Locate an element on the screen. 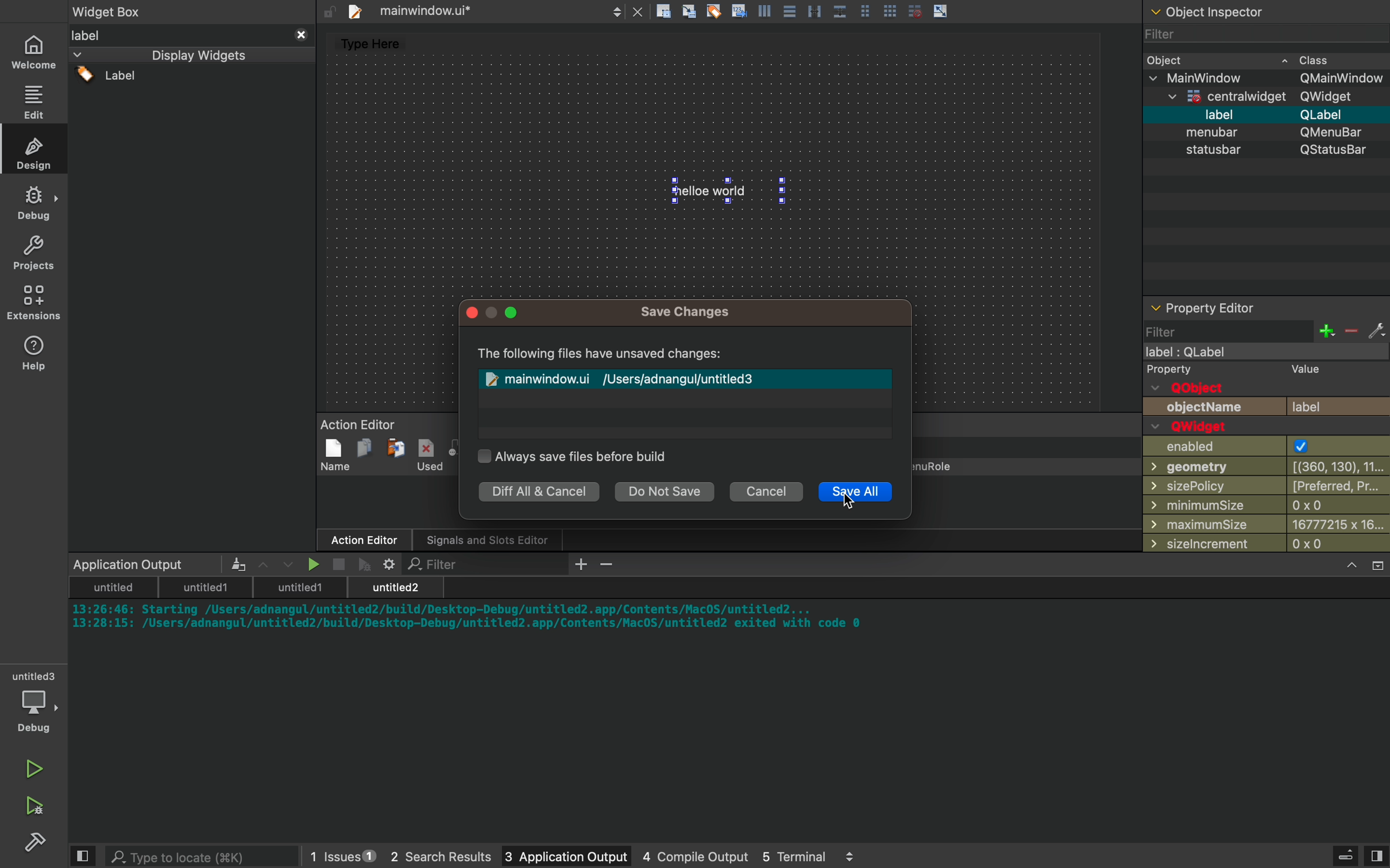 The width and height of the screenshot is (1390, 868). cursor is located at coordinates (855, 503).